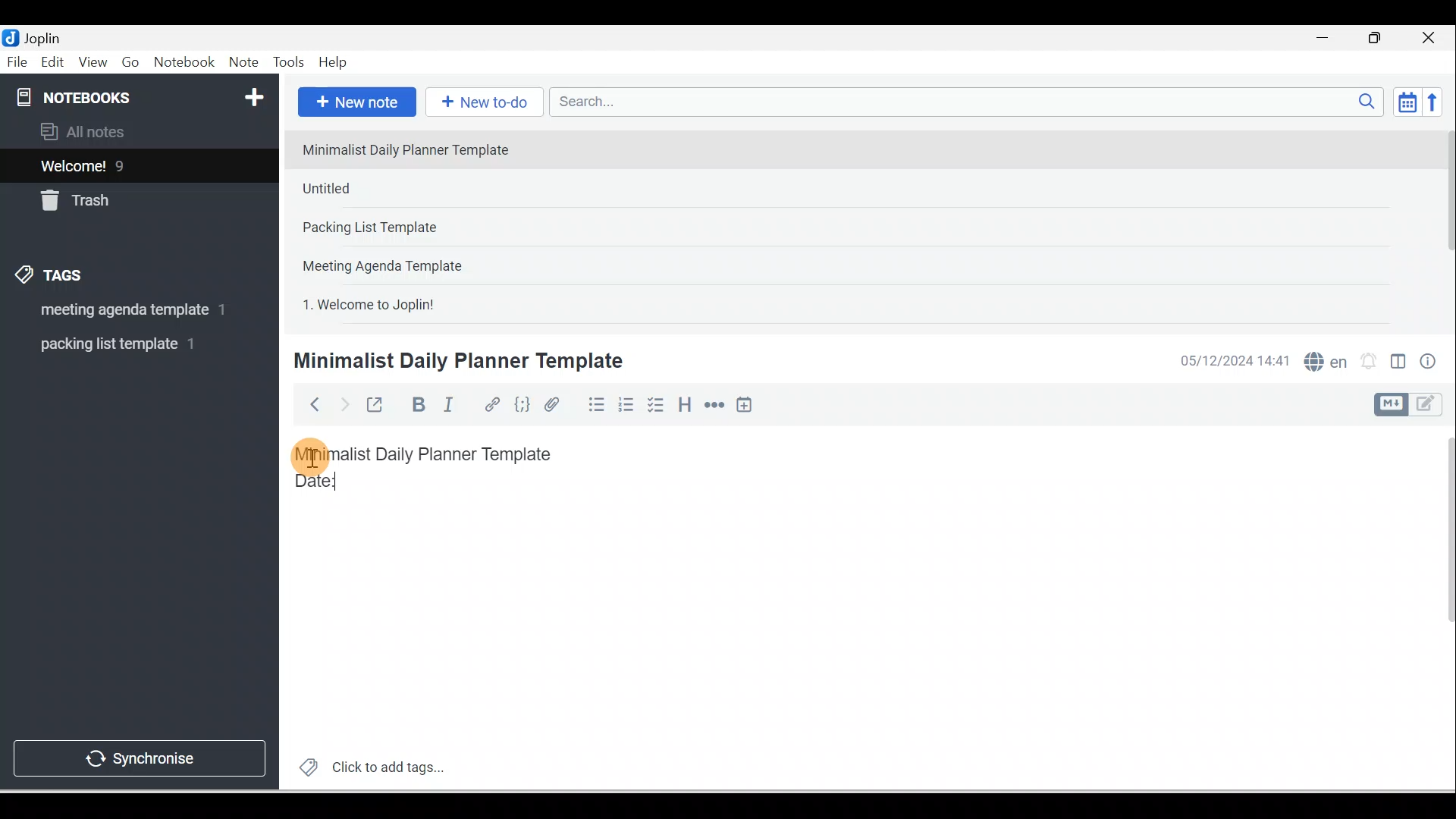  Describe the element at coordinates (1323, 359) in the screenshot. I see `Spelling` at that location.